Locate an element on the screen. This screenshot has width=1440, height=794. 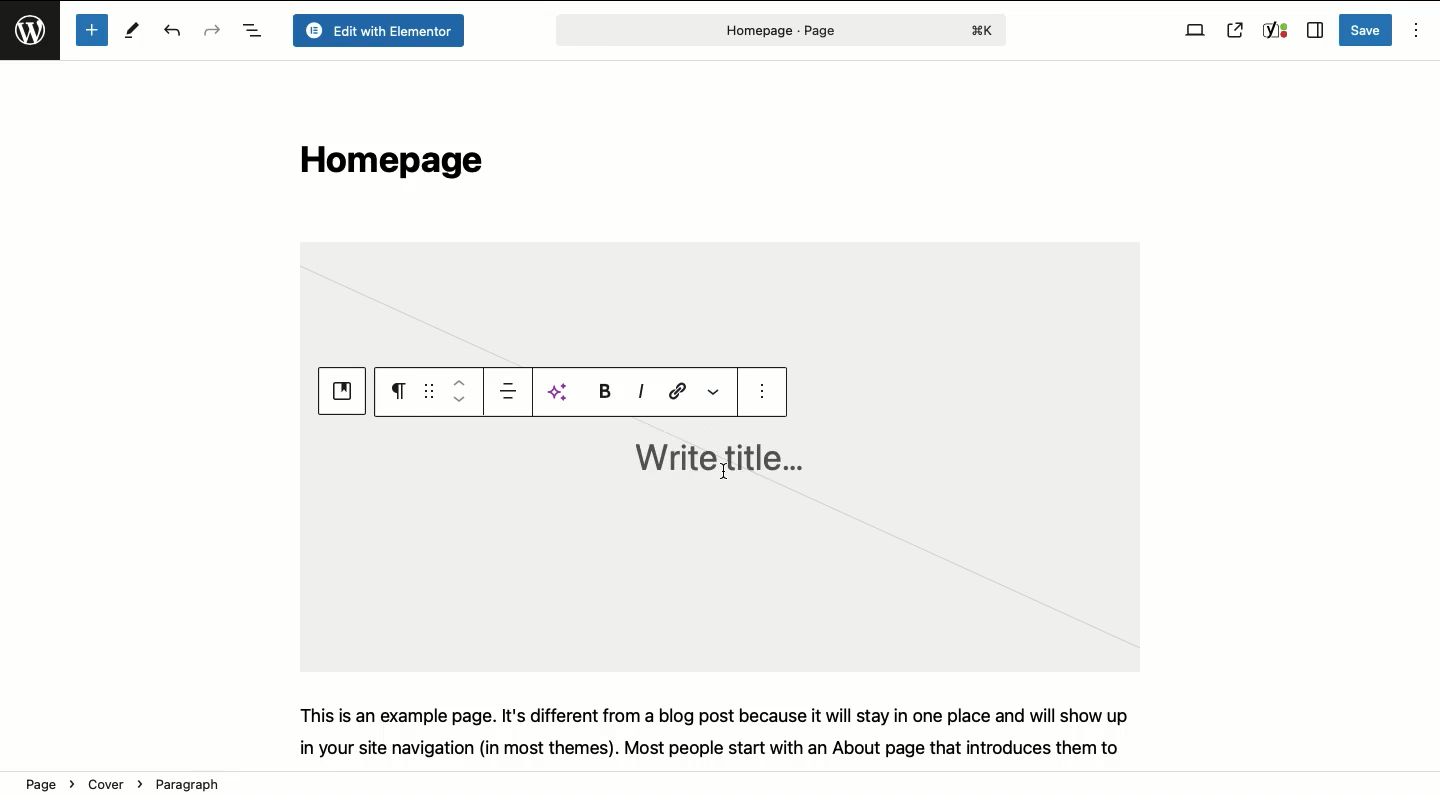
cover is located at coordinates (343, 392).